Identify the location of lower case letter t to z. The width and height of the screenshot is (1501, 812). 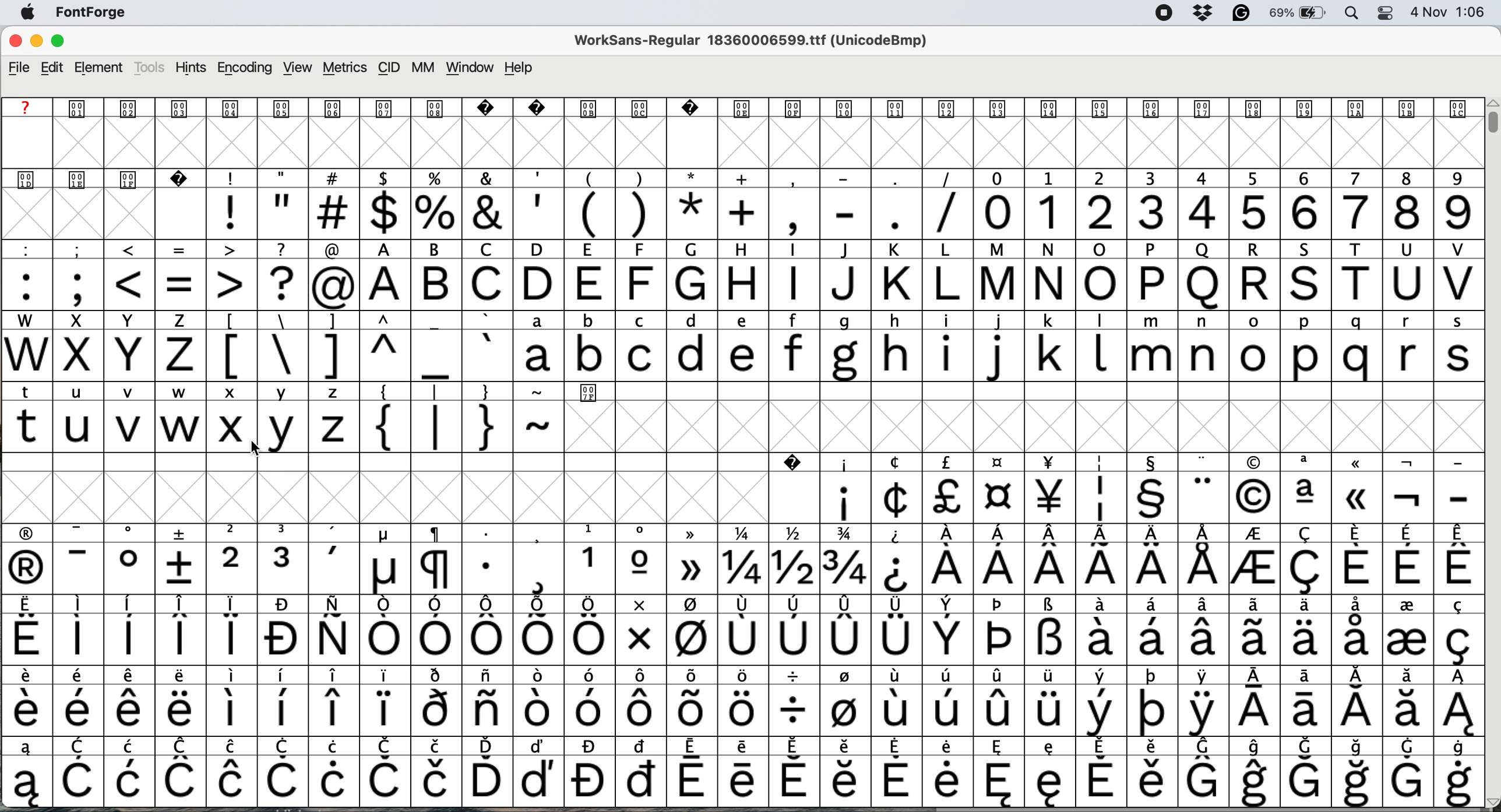
(182, 426).